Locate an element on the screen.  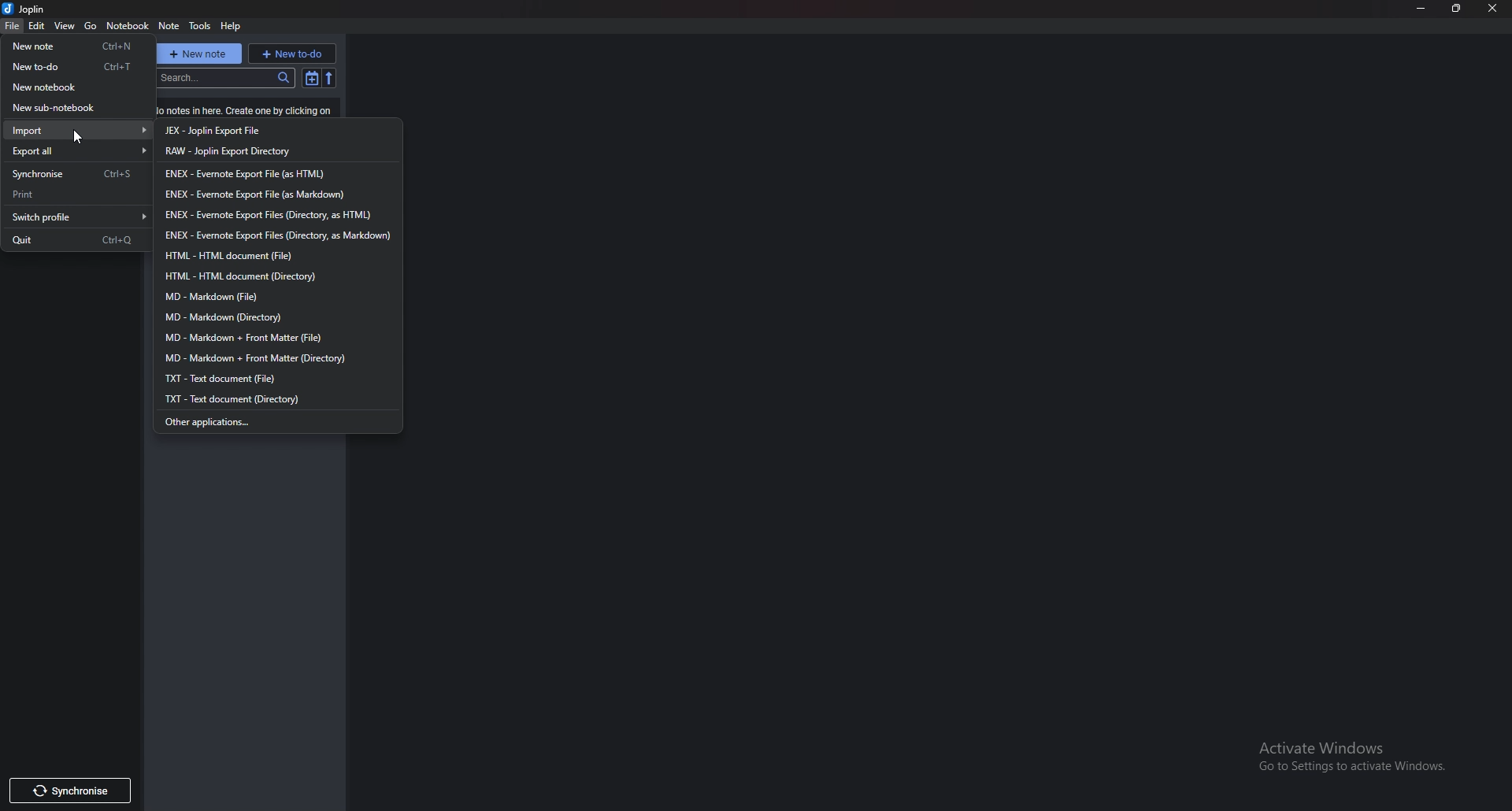
Edit is located at coordinates (37, 26).